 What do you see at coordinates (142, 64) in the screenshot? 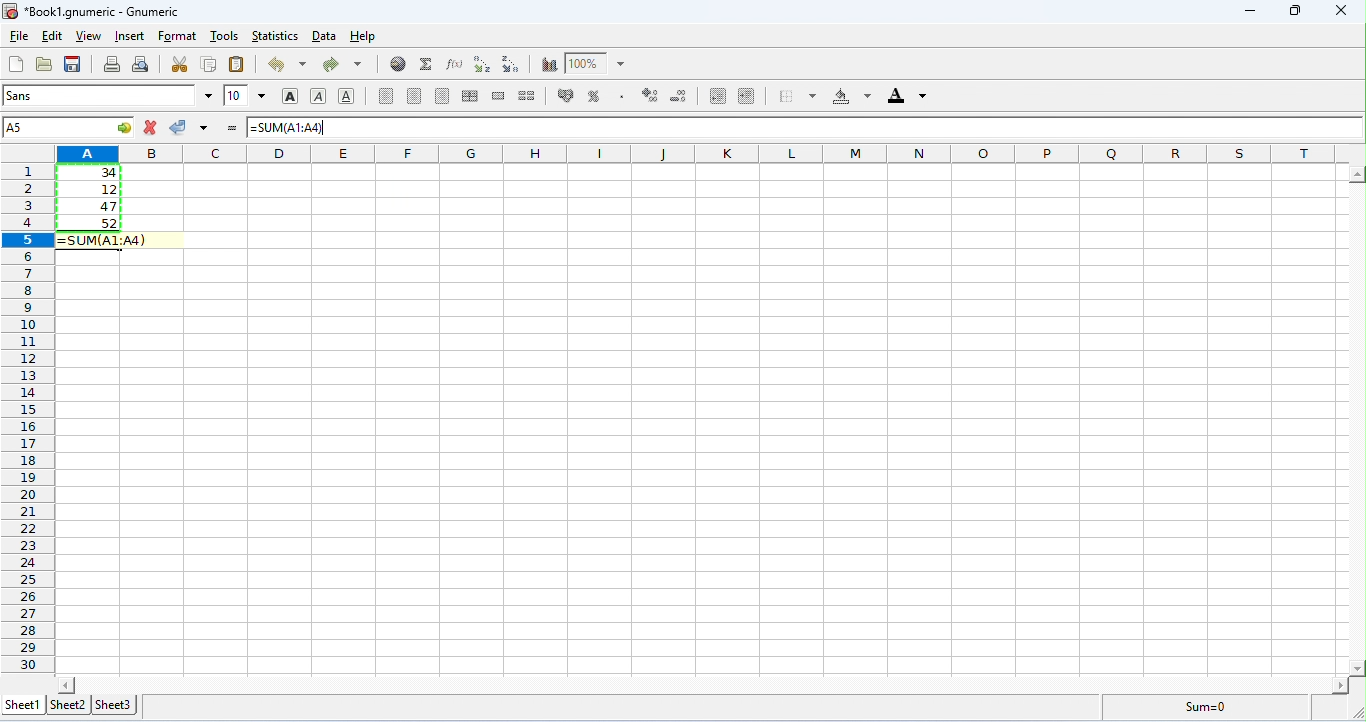
I see `print preview` at bounding box center [142, 64].